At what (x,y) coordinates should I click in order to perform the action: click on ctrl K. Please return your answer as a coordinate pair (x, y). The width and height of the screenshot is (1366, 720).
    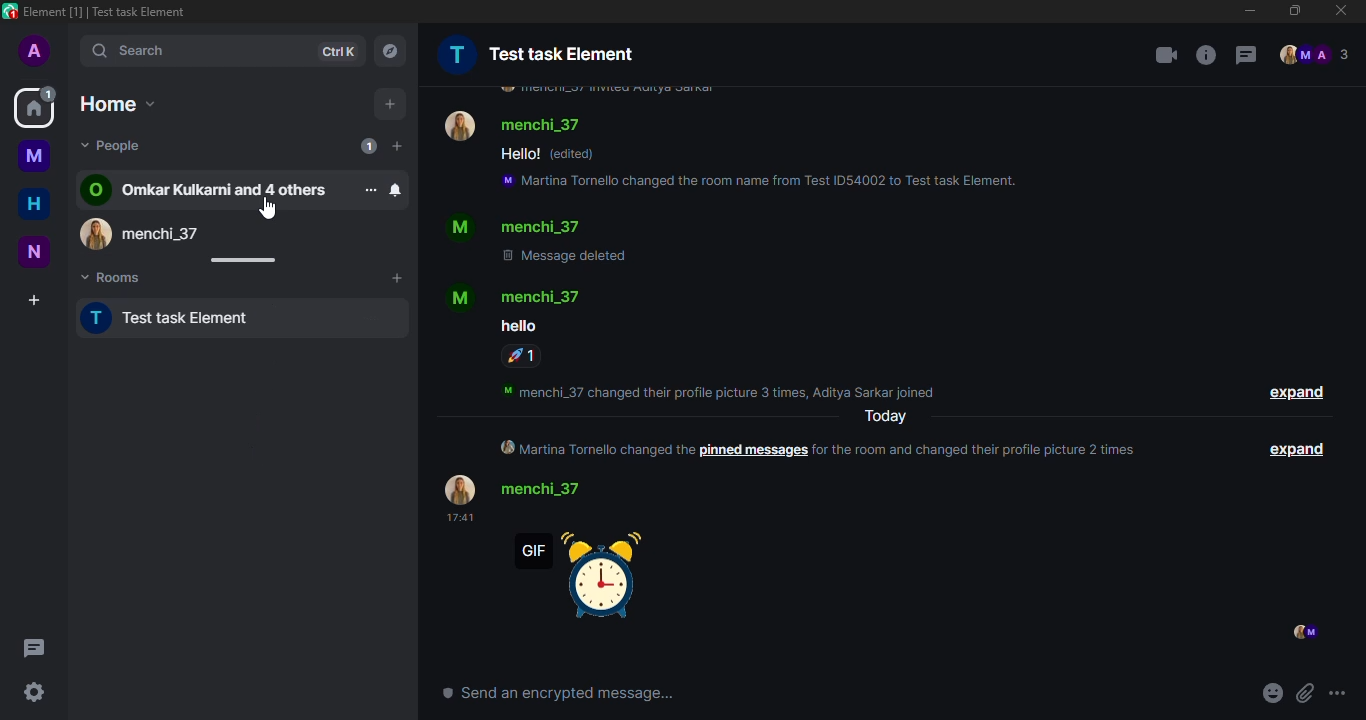
    Looking at the image, I should click on (339, 49).